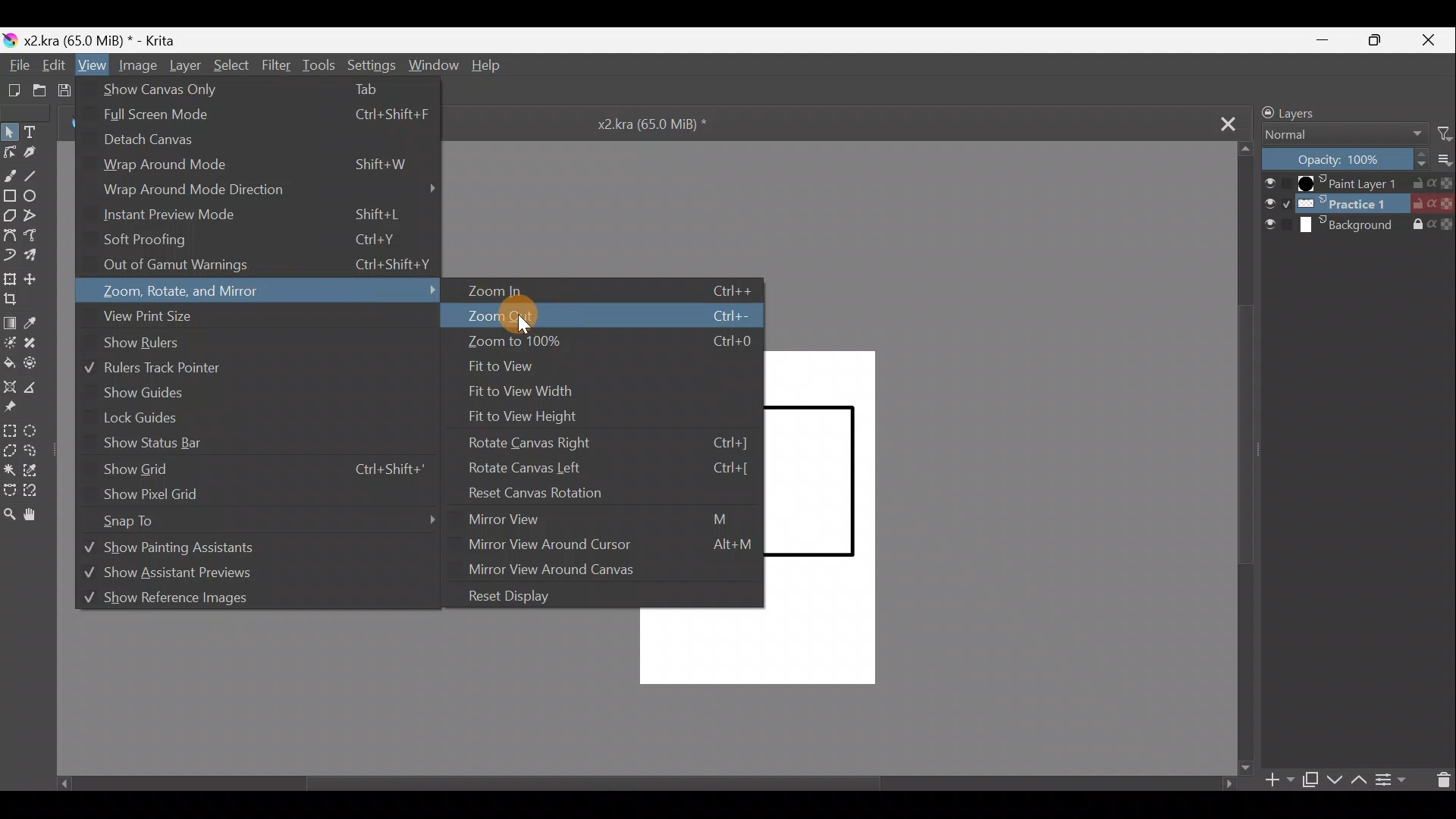 Image resolution: width=1456 pixels, height=819 pixels. I want to click on Edit shapes tool, so click(11, 152).